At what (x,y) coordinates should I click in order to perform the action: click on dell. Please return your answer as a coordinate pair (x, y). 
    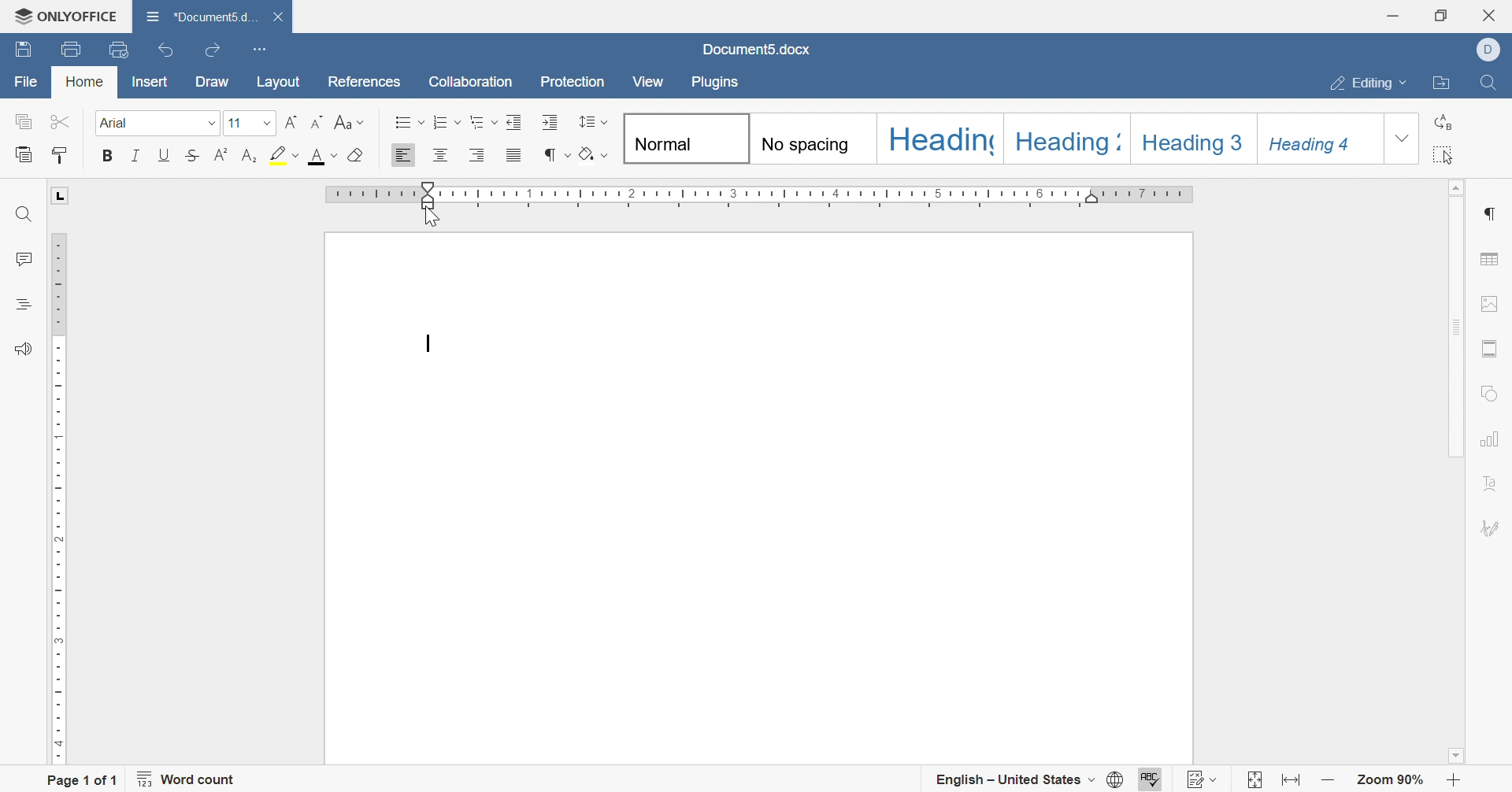
    Looking at the image, I should click on (1488, 47).